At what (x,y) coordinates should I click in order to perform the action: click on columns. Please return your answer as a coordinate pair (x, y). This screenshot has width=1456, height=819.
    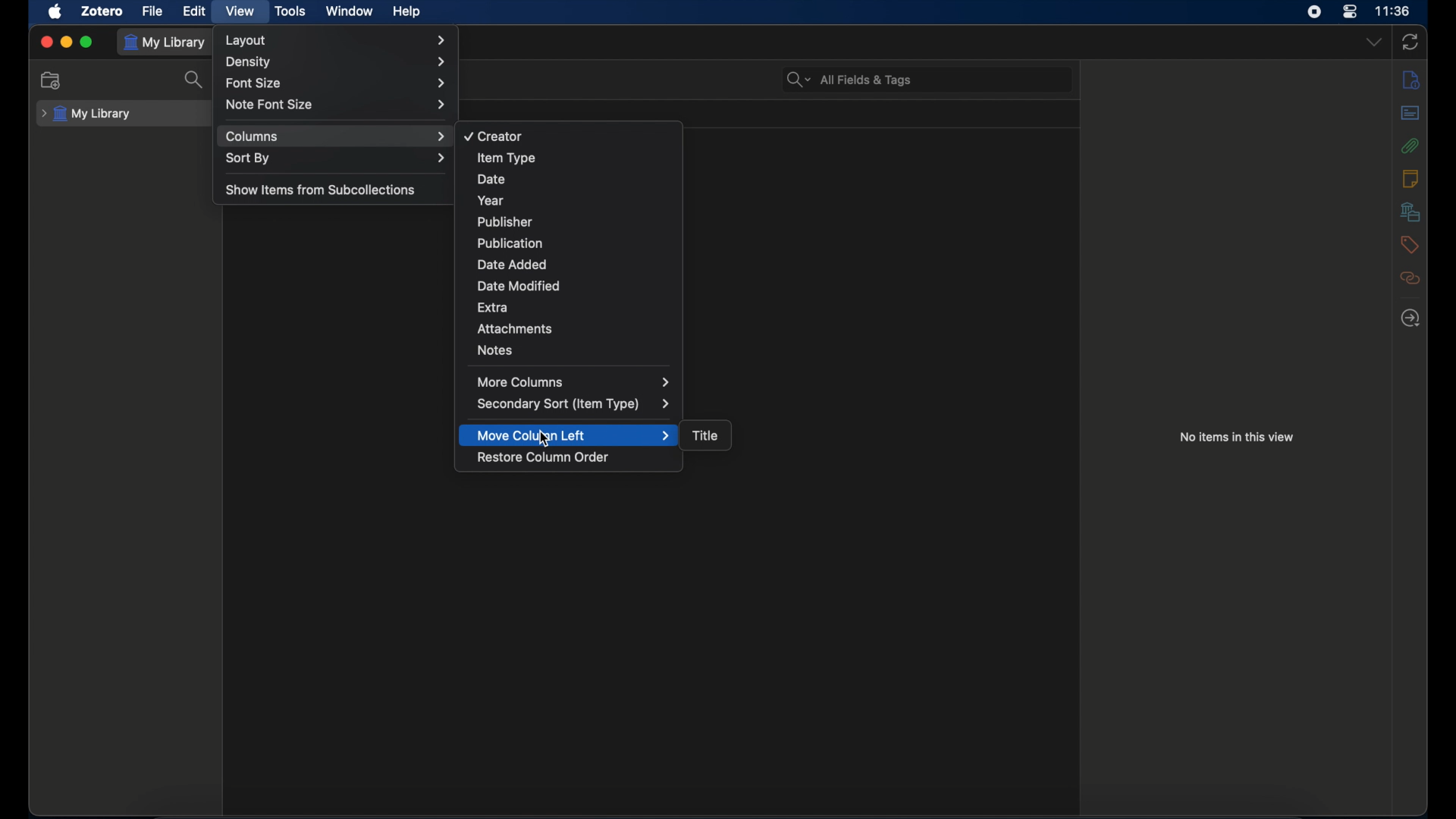
    Looking at the image, I should click on (337, 136).